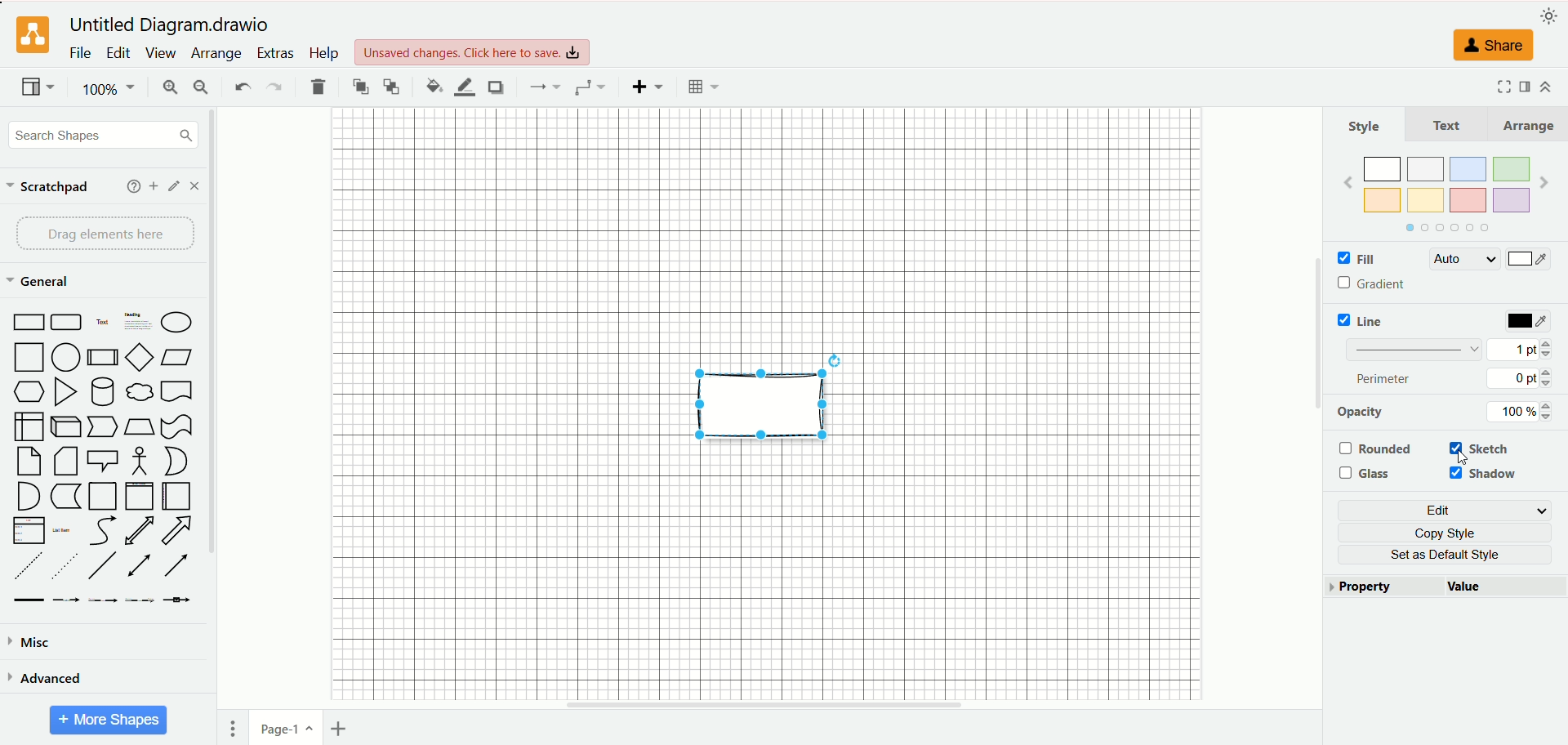 The image size is (1568, 745). What do you see at coordinates (175, 186) in the screenshot?
I see `edit` at bounding box center [175, 186].